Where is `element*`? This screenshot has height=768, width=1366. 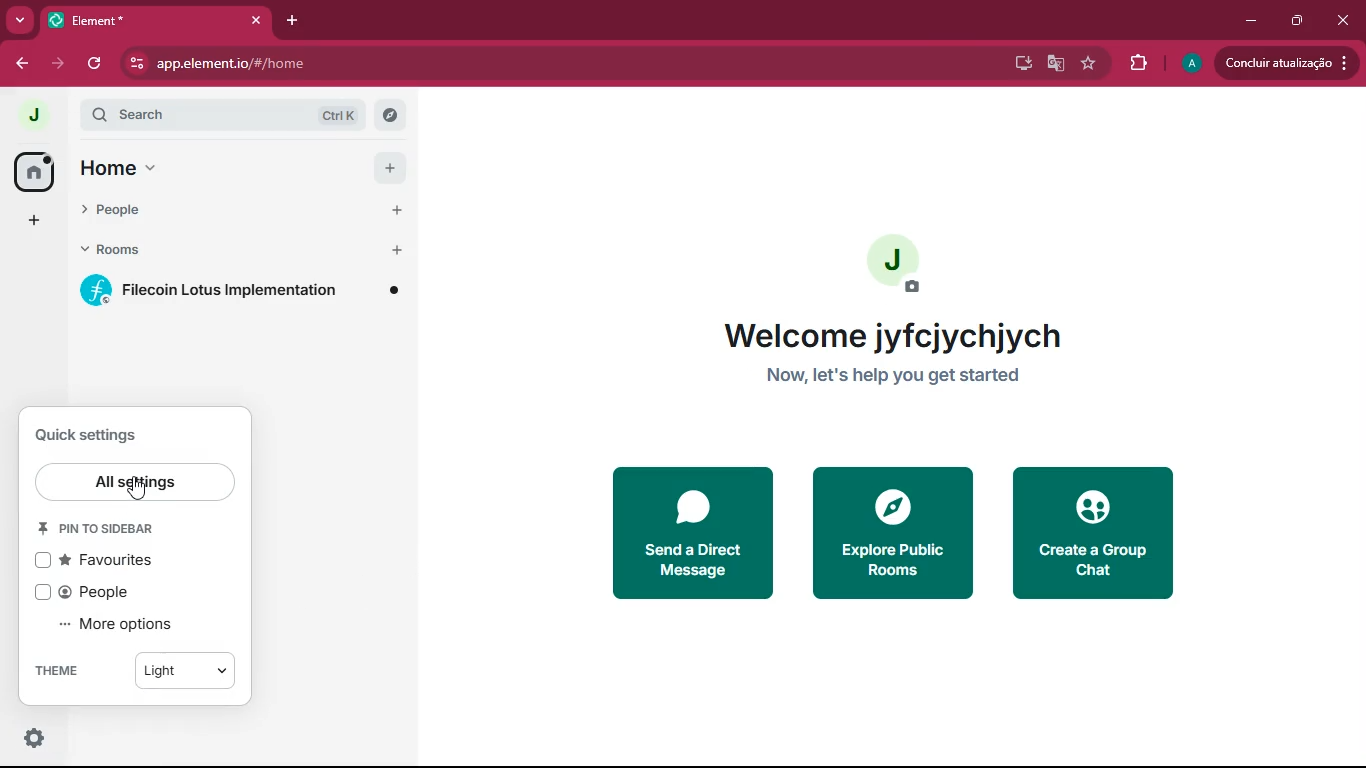 element* is located at coordinates (131, 20).